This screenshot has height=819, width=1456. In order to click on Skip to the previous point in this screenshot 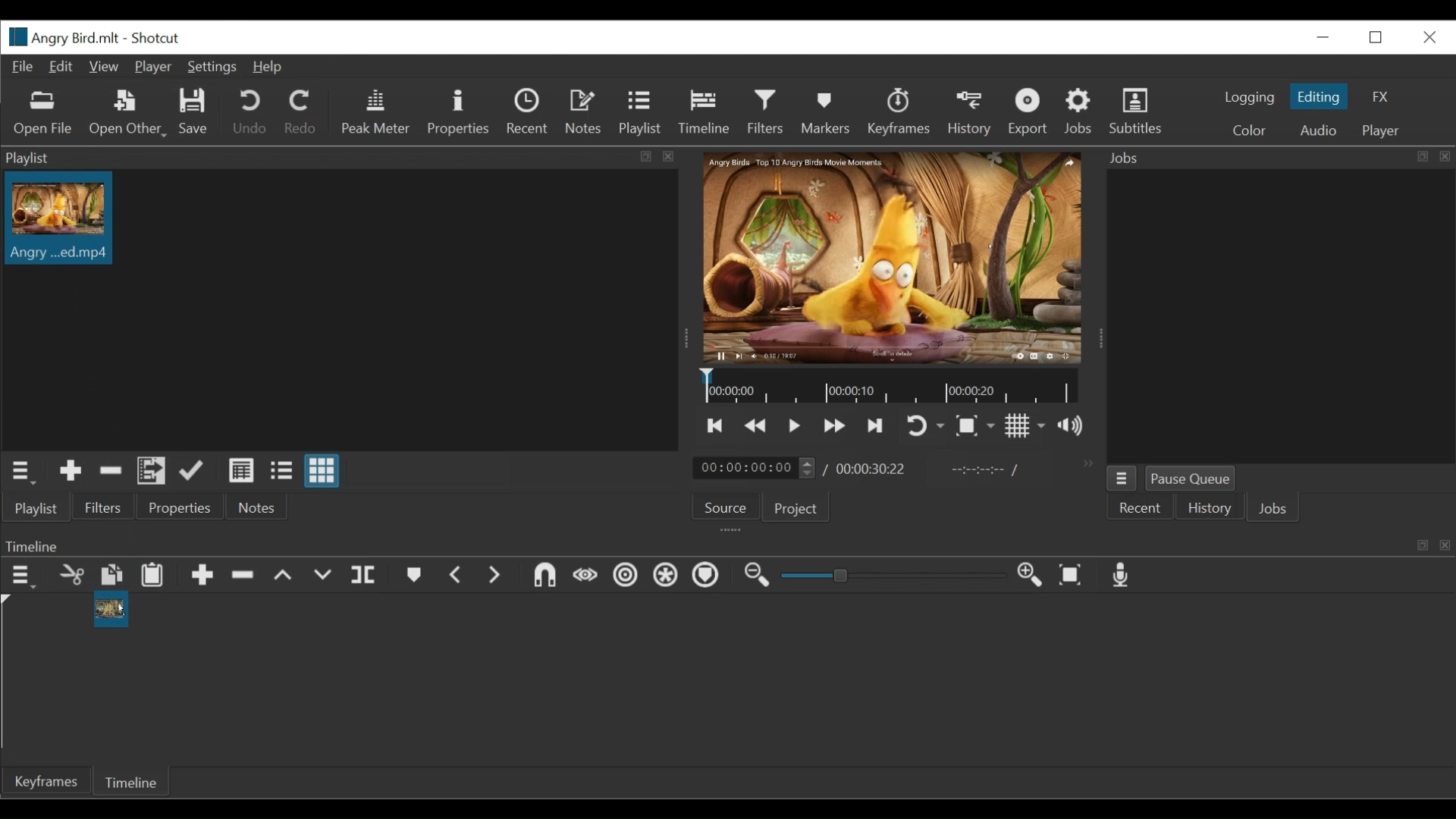, I will do `click(717, 425)`.